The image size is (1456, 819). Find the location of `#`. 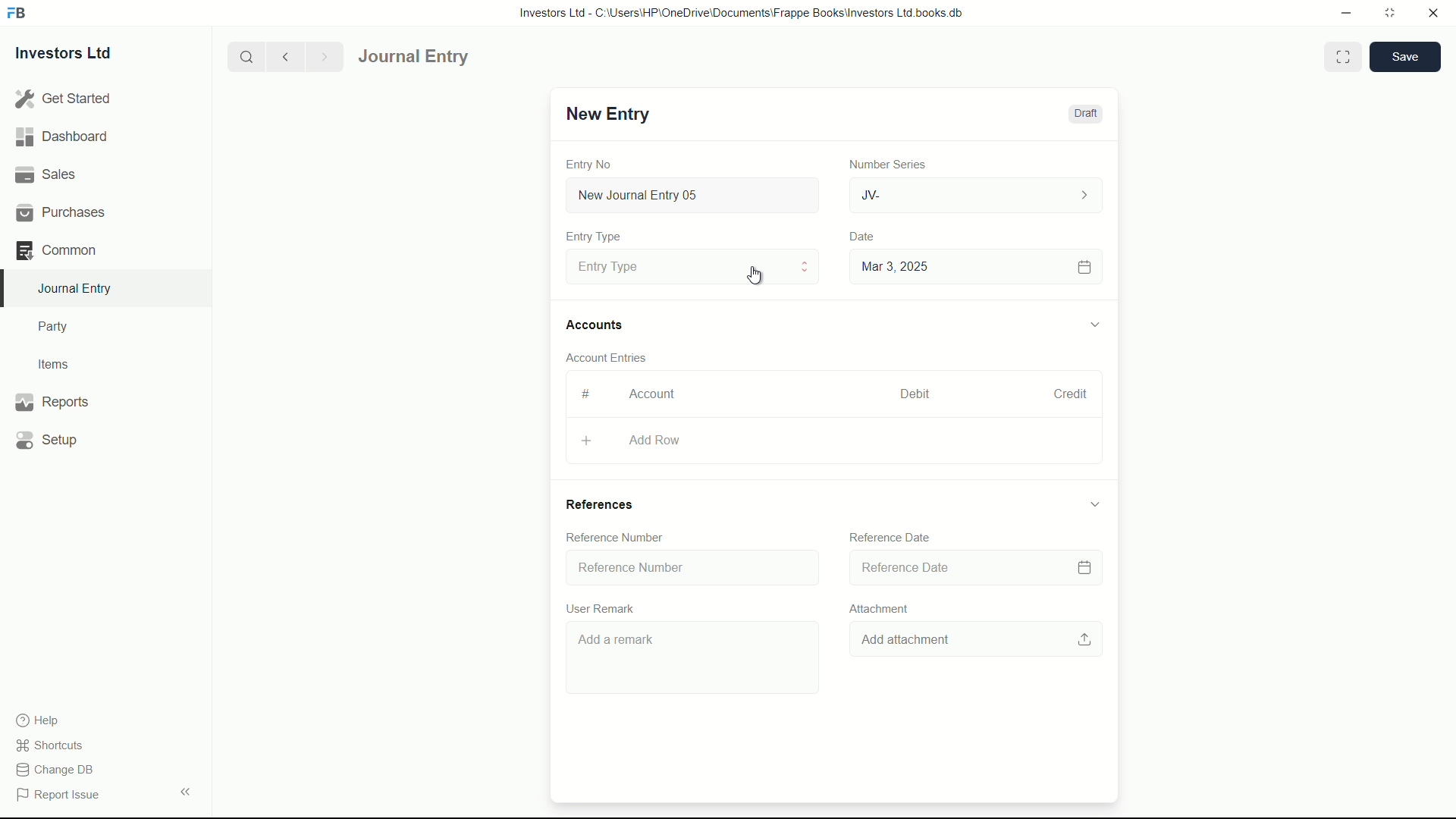

# is located at coordinates (587, 394).